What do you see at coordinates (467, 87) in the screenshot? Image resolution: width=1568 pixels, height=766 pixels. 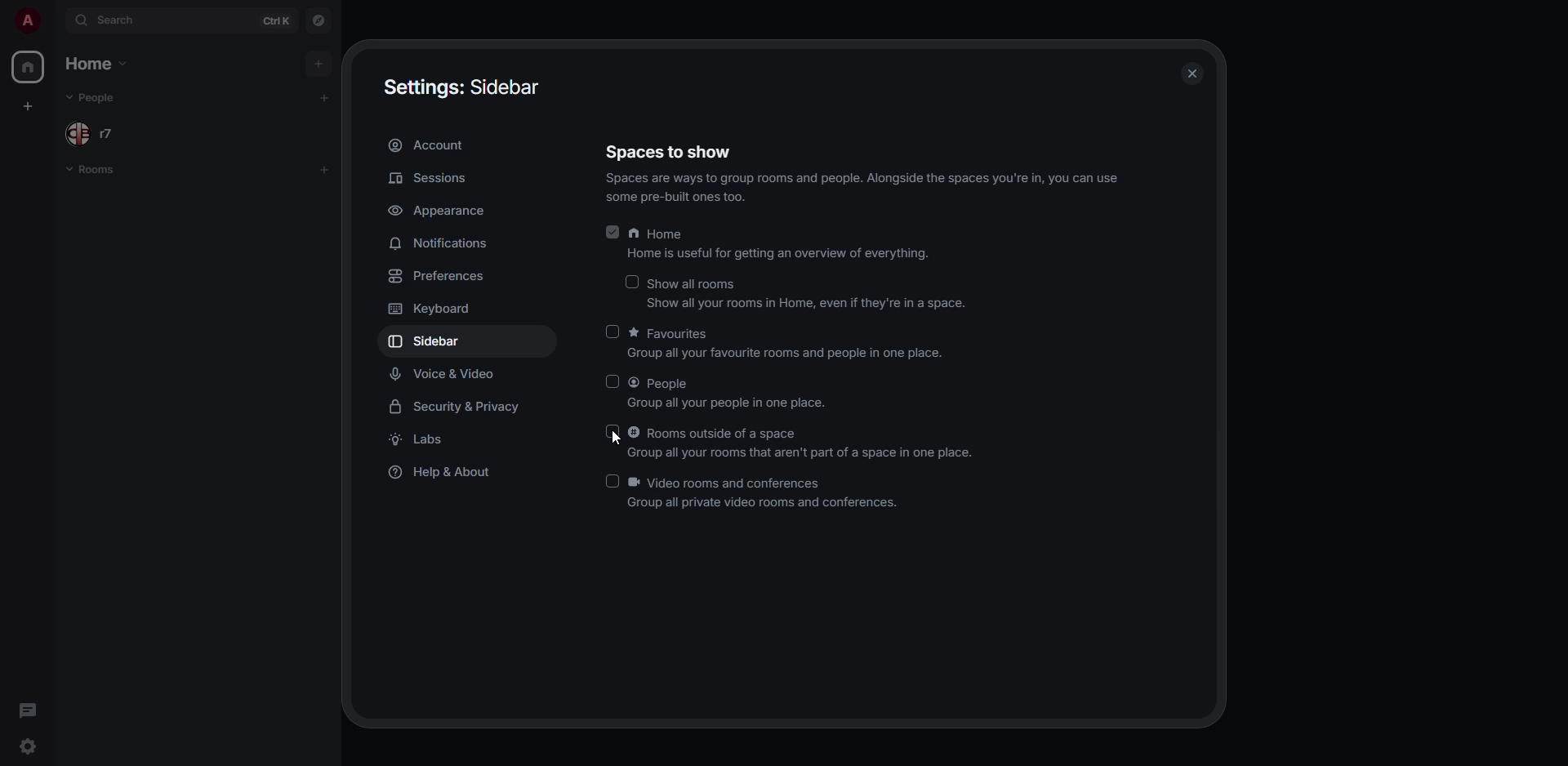 I see `settings sidebar` at bounding box center [467, 87].